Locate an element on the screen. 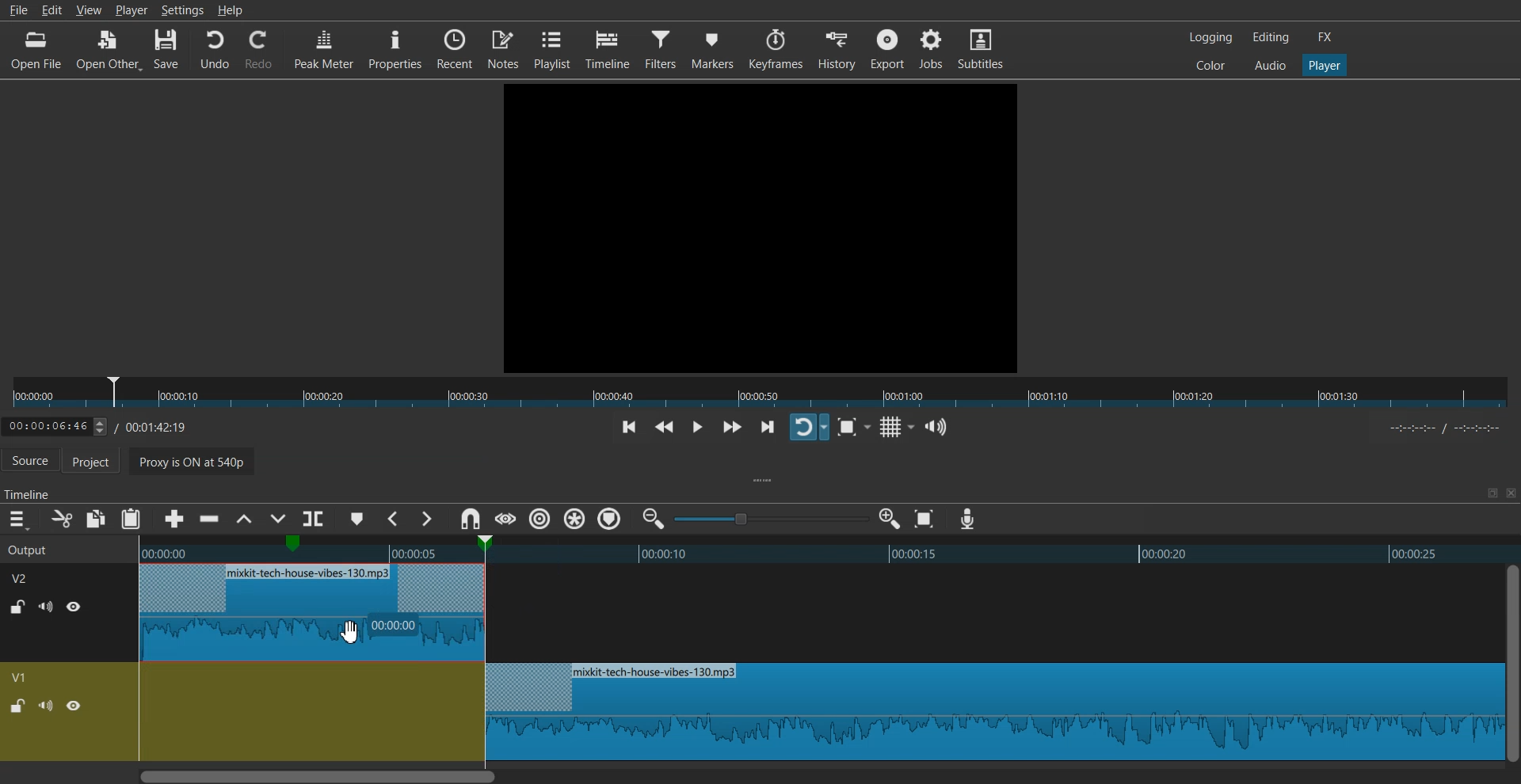 The image size is (1521, 784). Markers is located at coordinates (713, 48).